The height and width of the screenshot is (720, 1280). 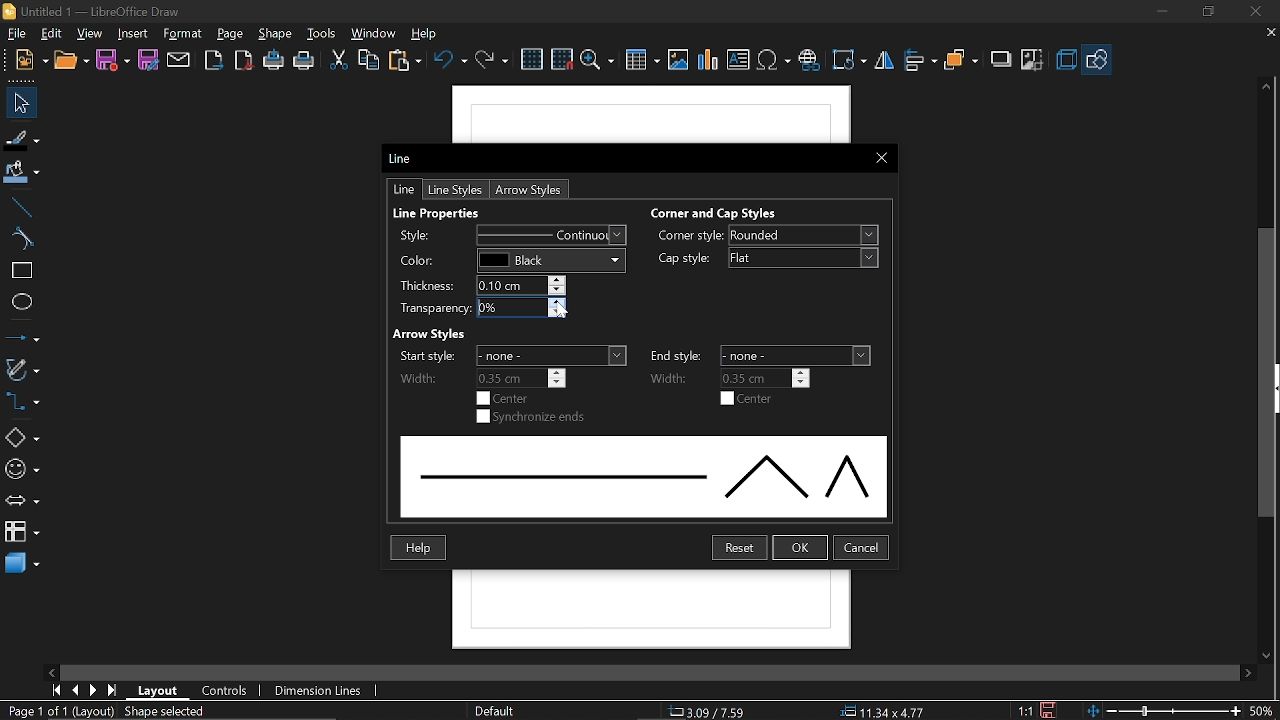 I want to click on Page style (Default), so click(x=495, y=710).